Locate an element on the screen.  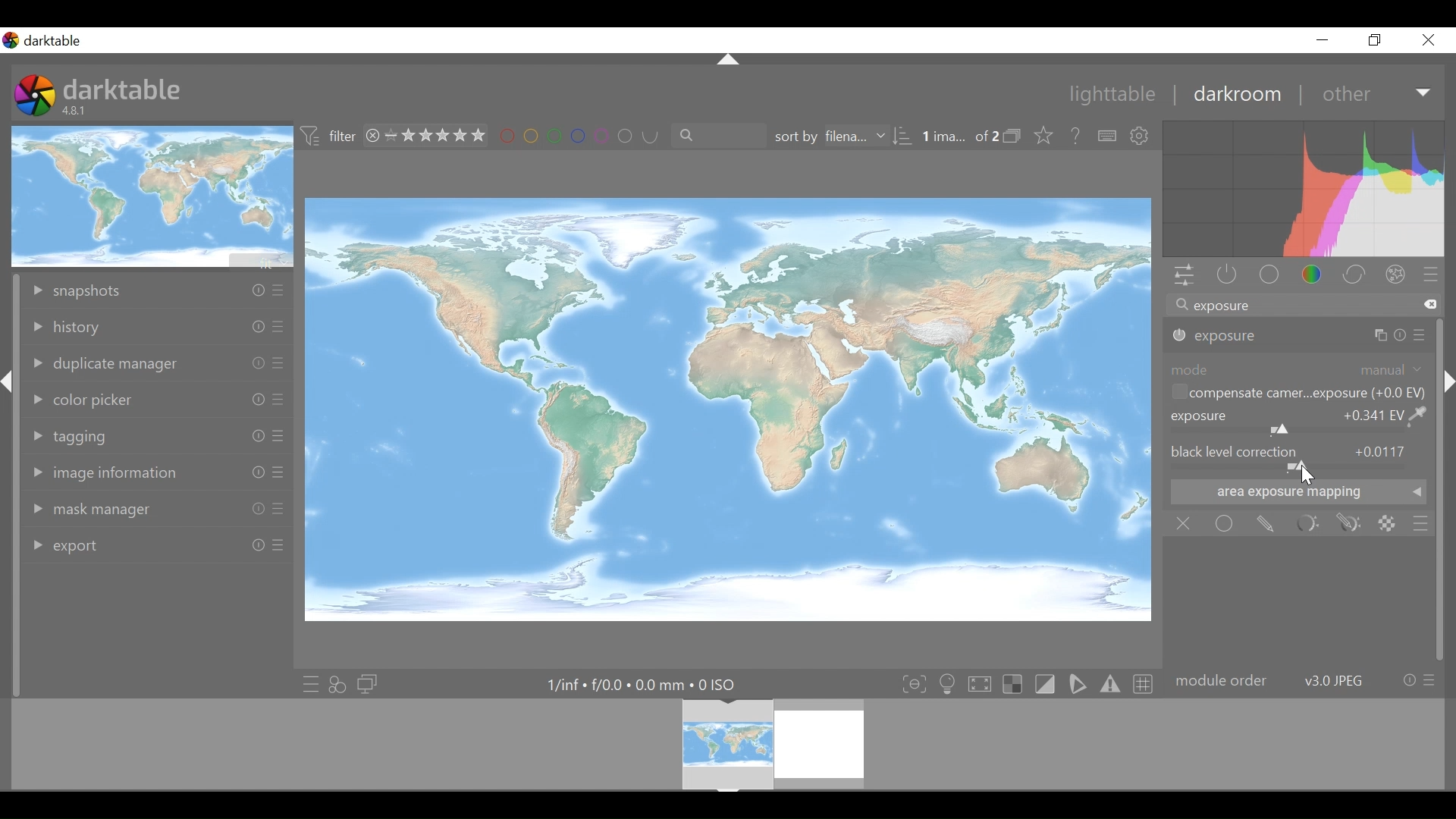
toggle ISO 12642 color assessment is located at coordinates (948, 684).